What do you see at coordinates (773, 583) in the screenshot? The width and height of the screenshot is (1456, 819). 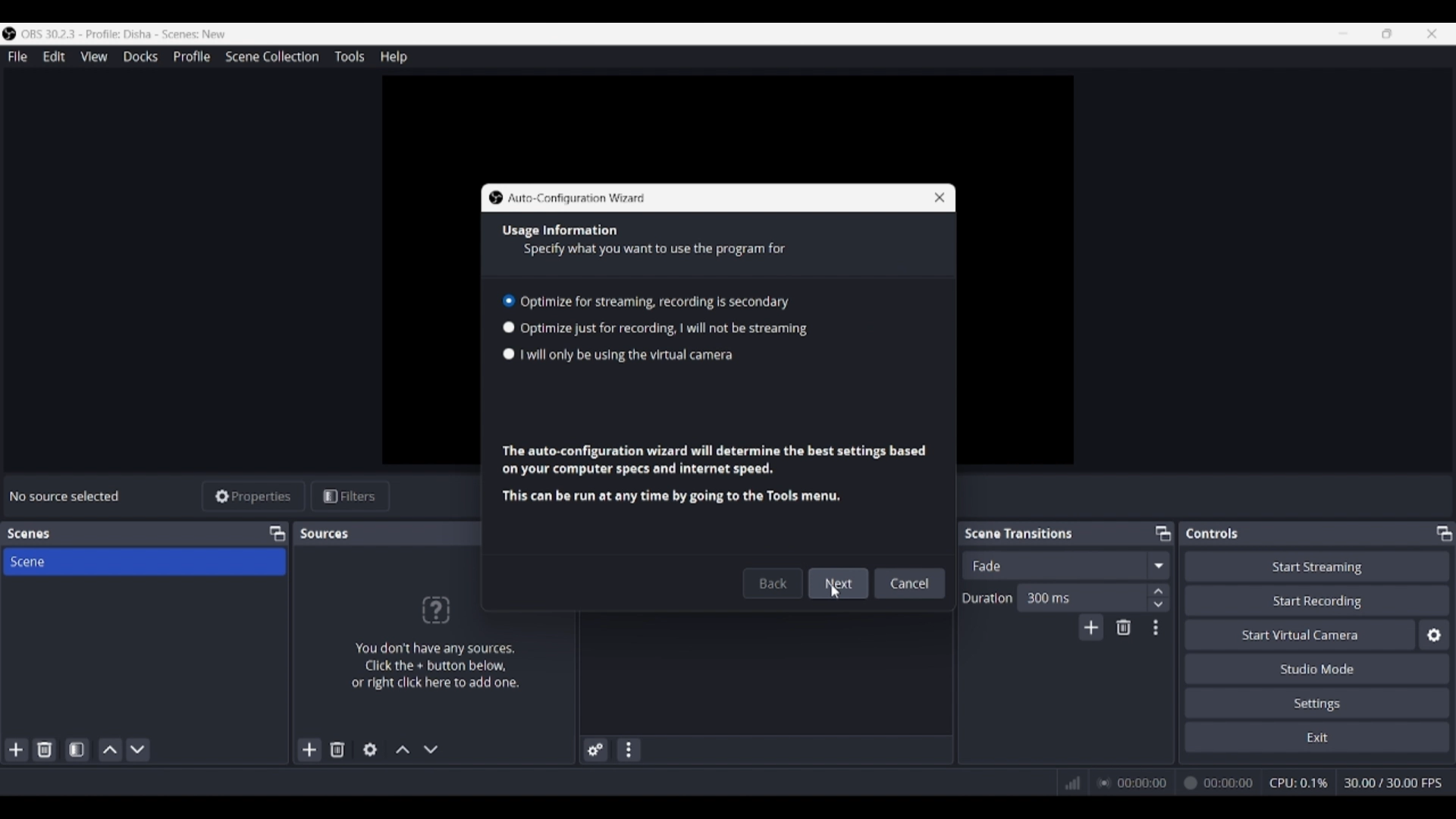 I see `Back` at bounding box center [773, 583].